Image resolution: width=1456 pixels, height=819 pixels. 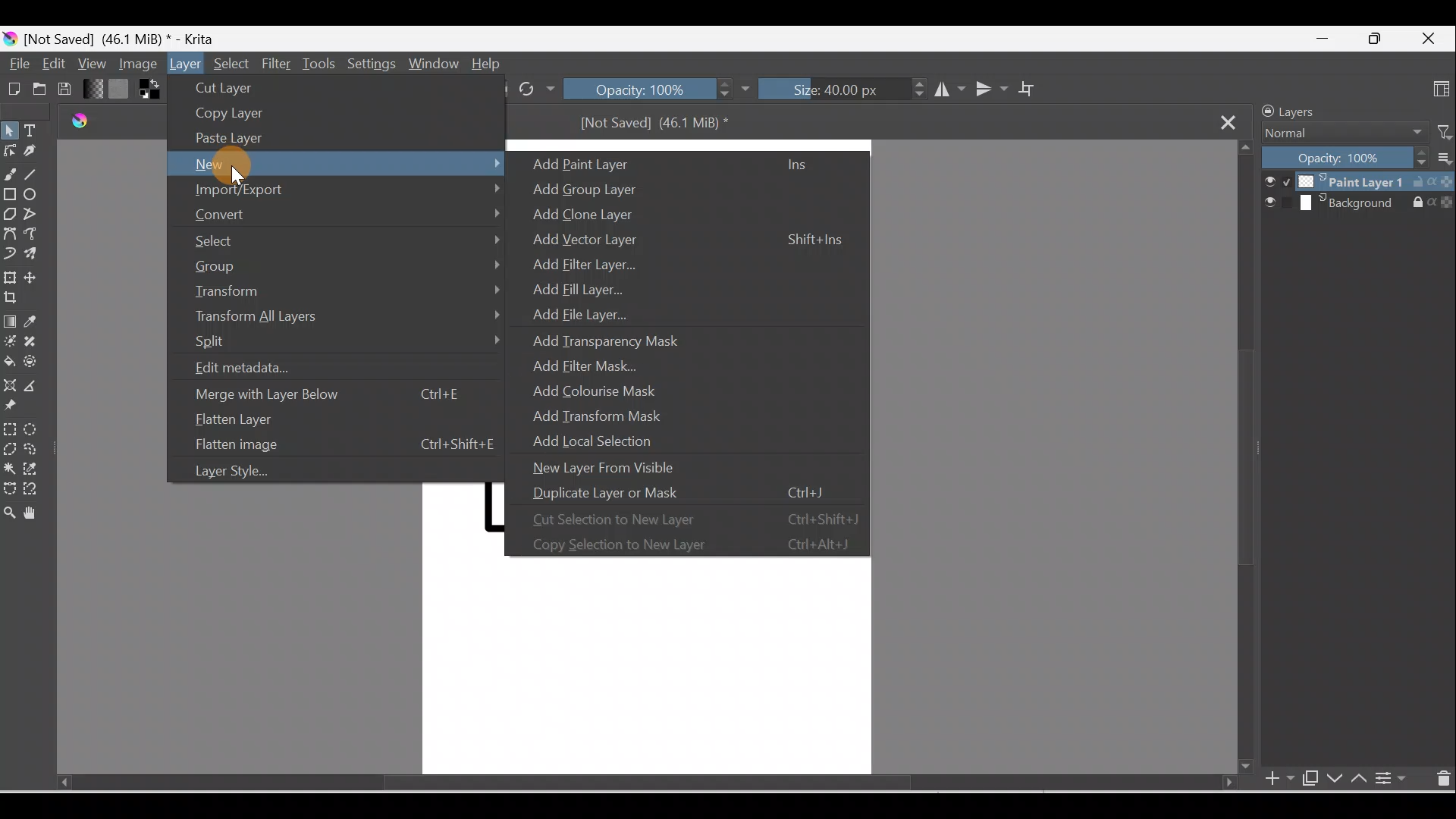 What do you see at coordinates (37, 387) in the screenshot?
I see `Measure distance between two points` at bounding box center [37, 387].